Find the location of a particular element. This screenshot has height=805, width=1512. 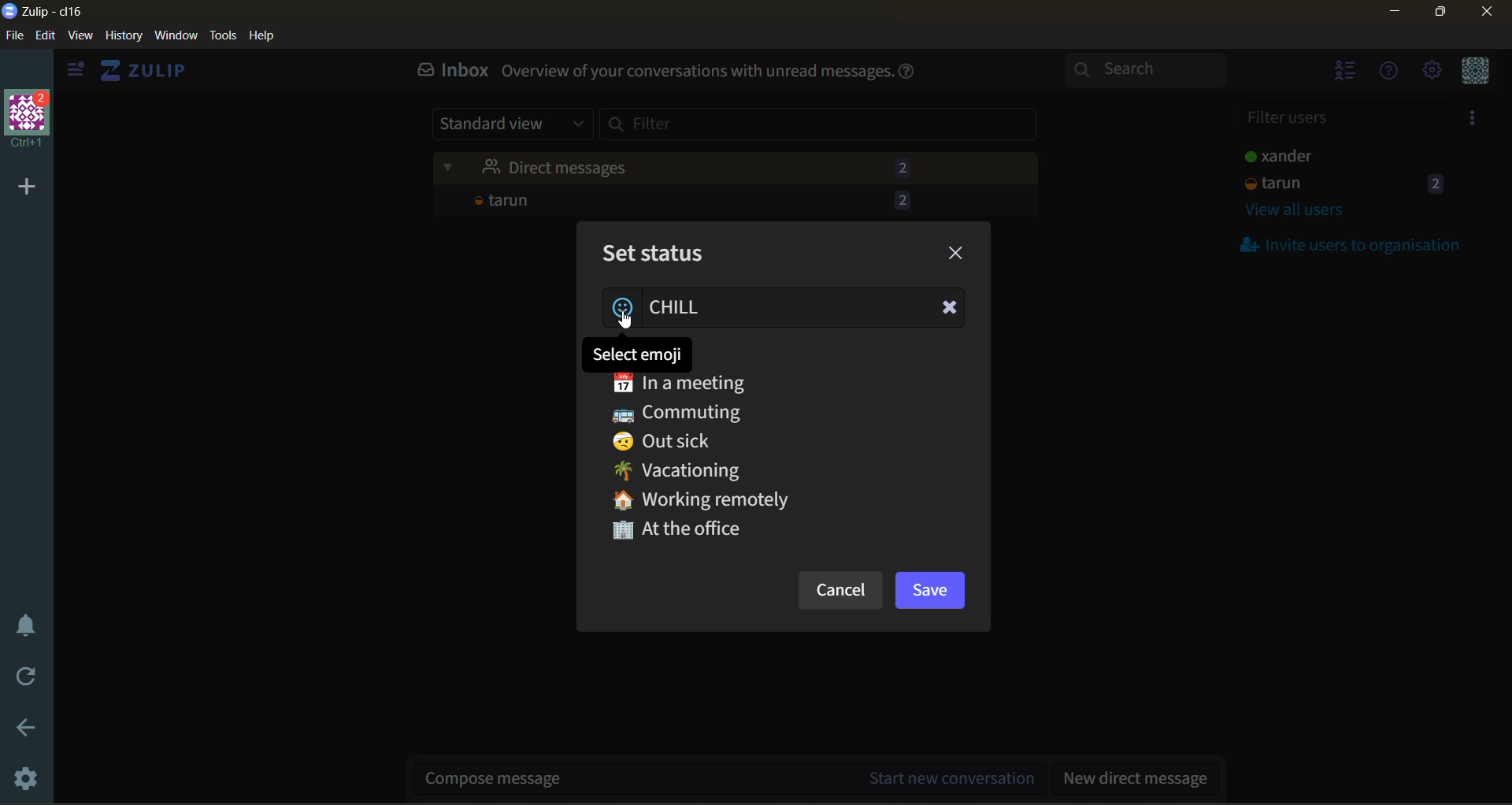

start new conversation is located at coordinates (732, 774).